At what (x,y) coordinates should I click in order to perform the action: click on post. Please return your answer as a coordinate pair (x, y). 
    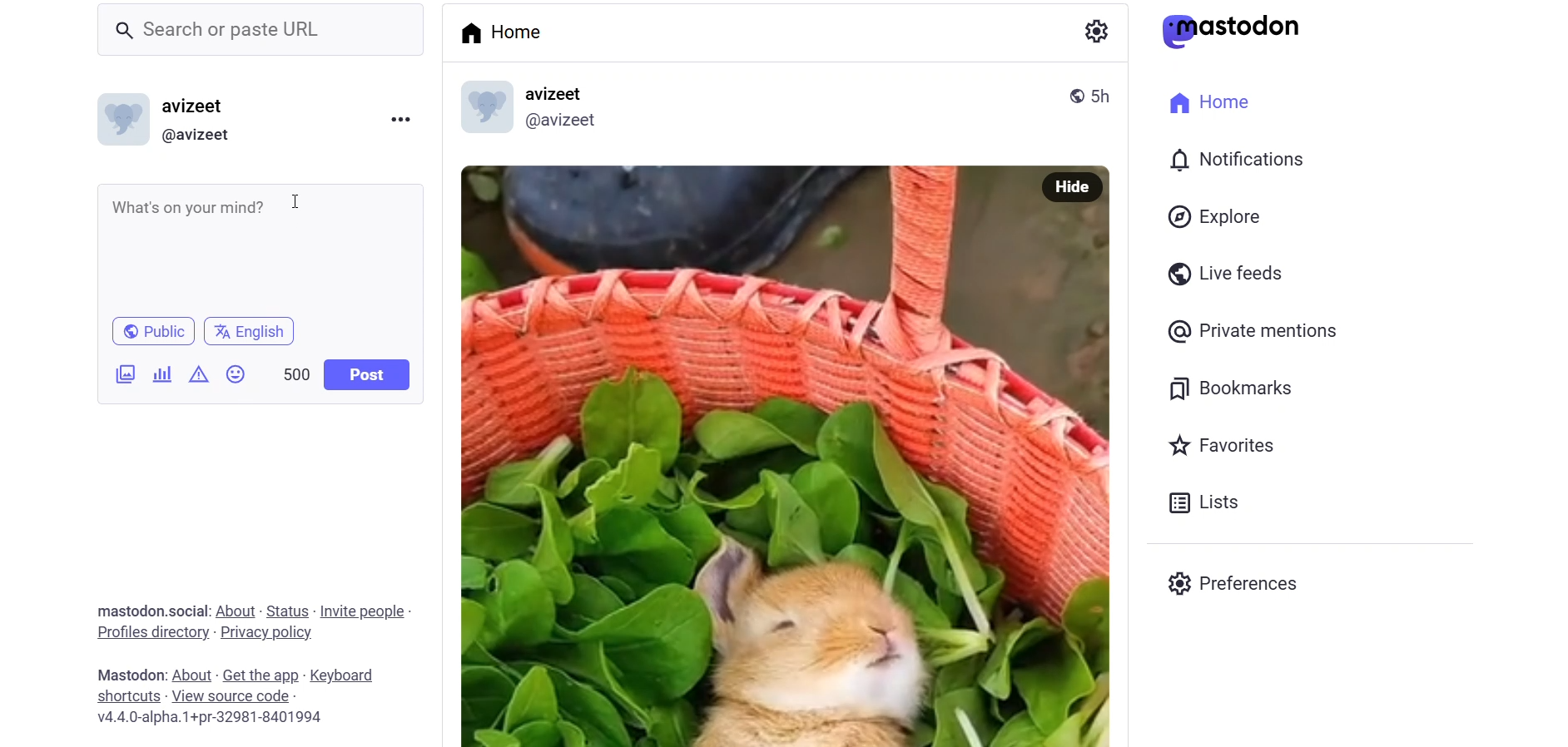
    Looking at the image, I should click on (371, 375).